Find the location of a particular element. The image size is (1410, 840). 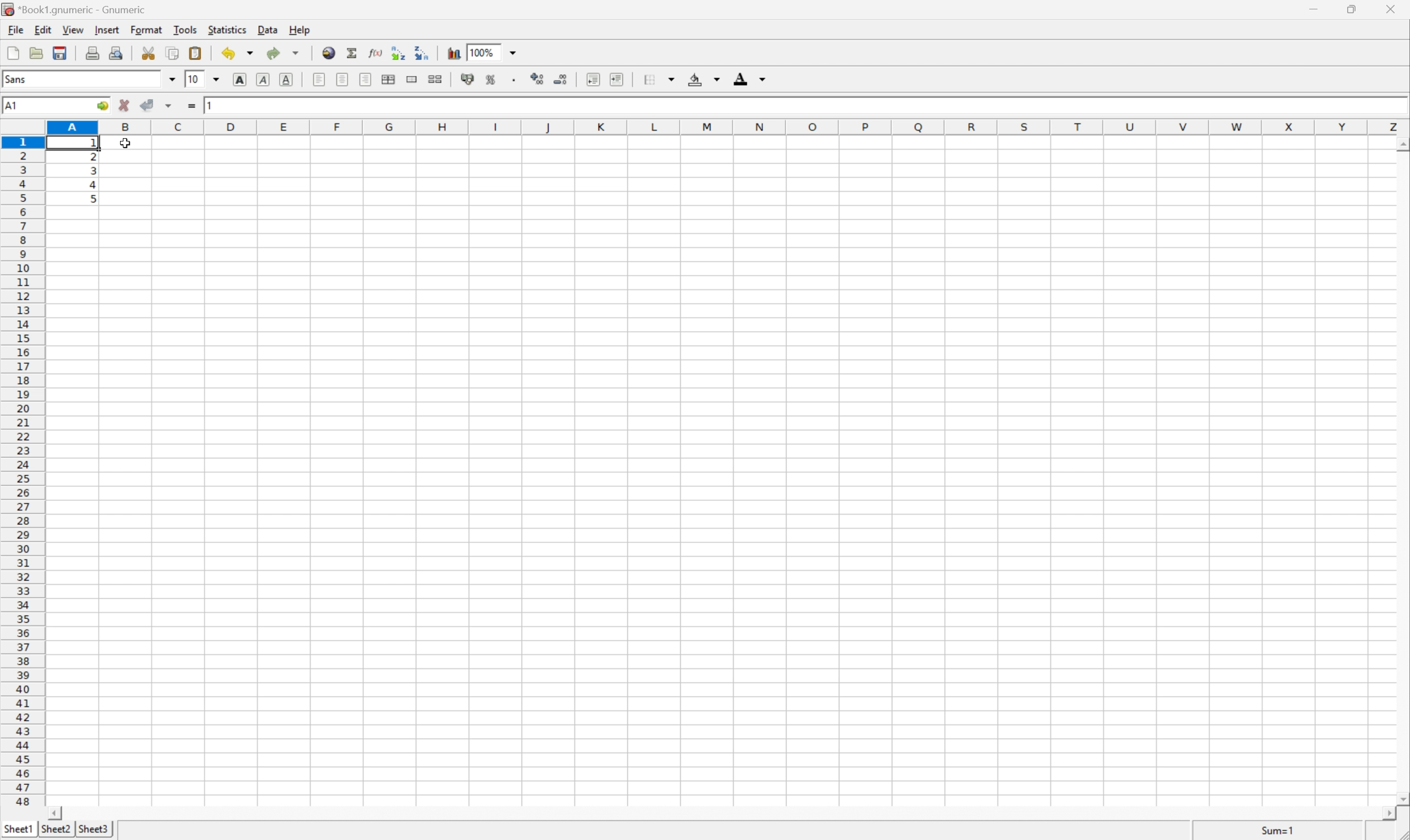

Background is located at coordinates (704, 78).